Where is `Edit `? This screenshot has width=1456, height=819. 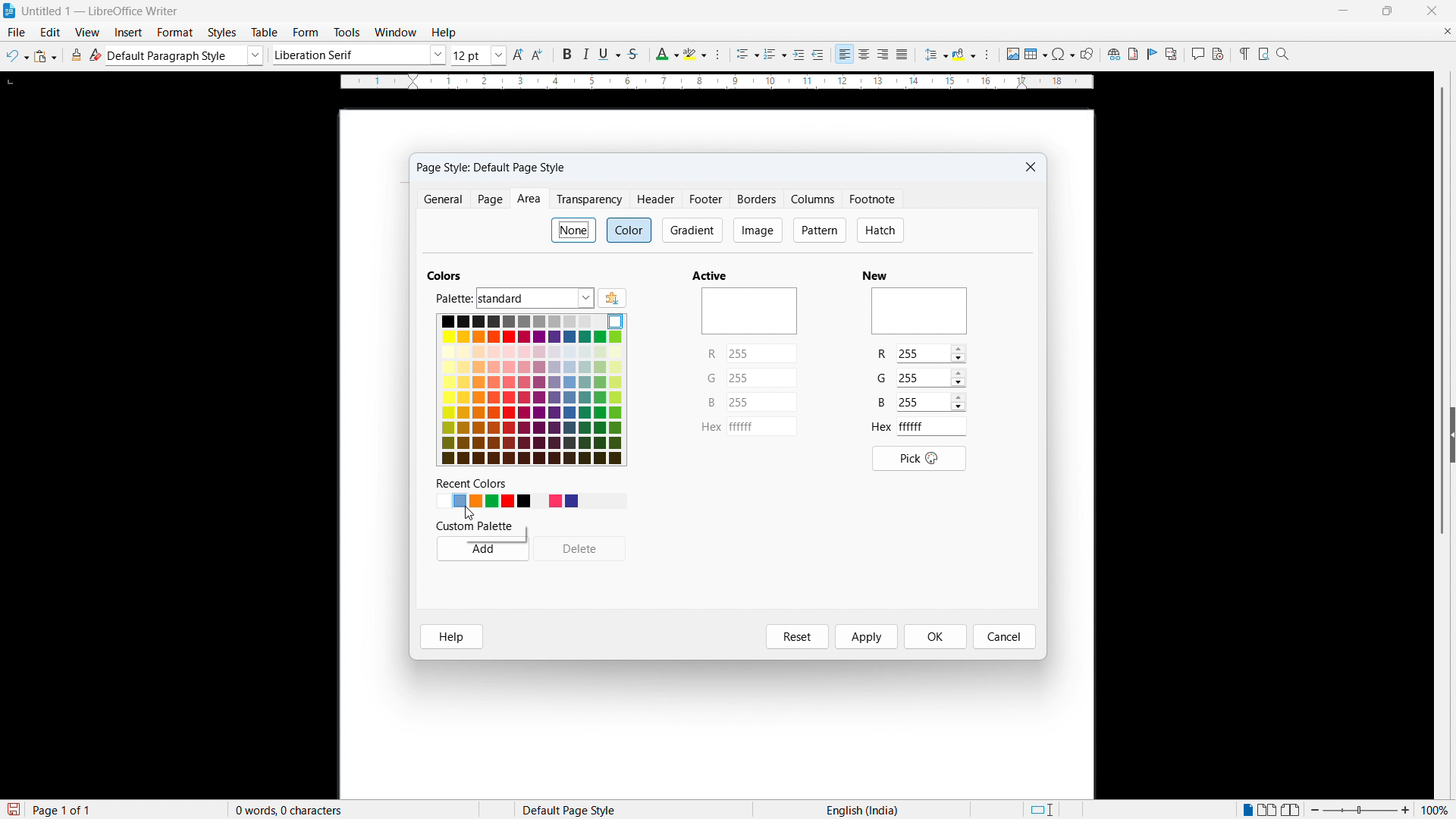
Edit  is located at coordinates (51, 32).